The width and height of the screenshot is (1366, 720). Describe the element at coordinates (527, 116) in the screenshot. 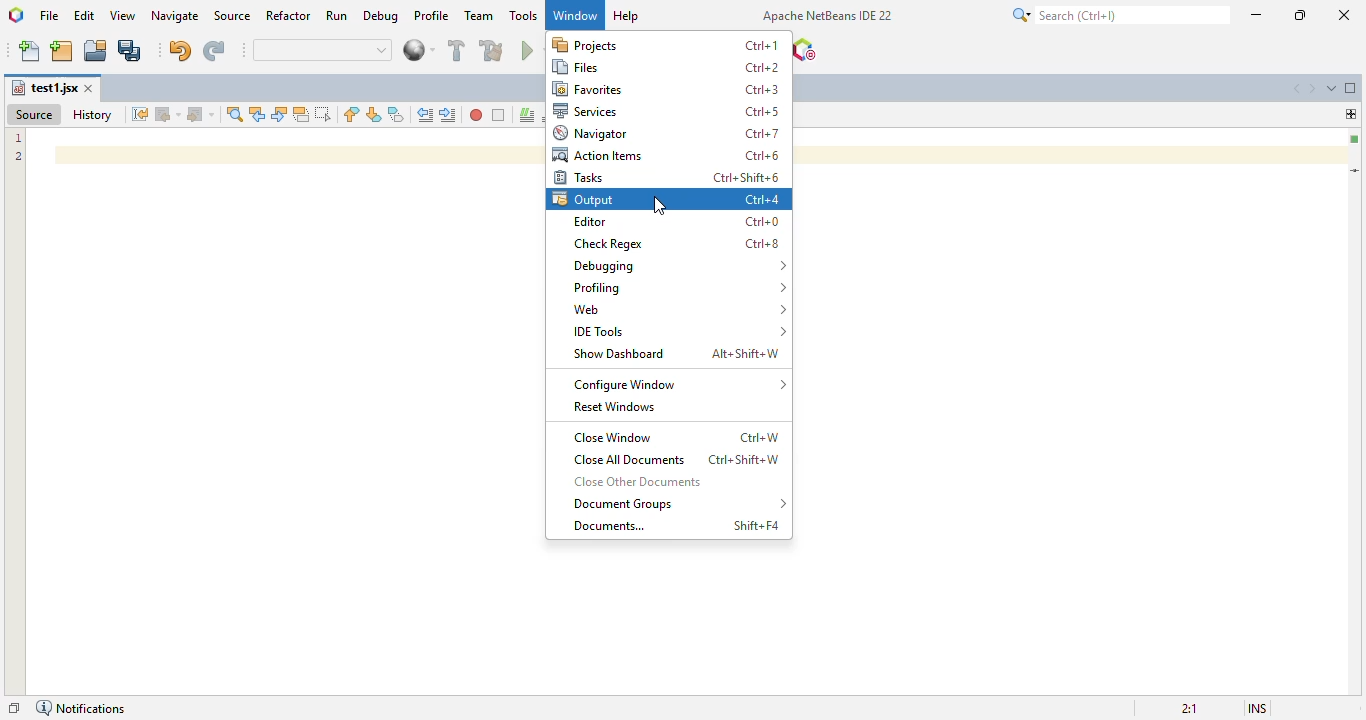

I see `comment` at that location.